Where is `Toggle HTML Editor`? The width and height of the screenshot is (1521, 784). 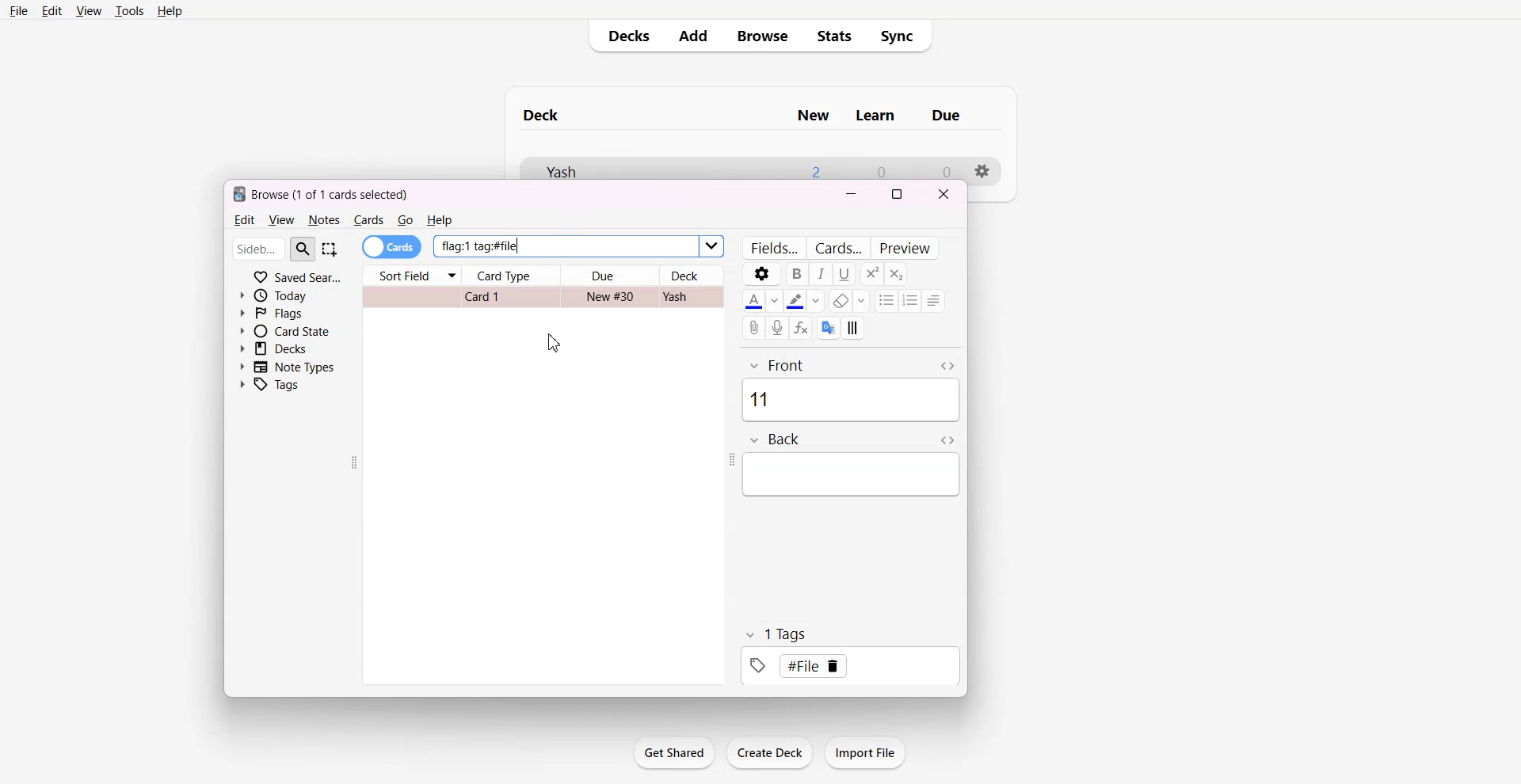 Toggle HTML Editor is located at coordinates (942, 442).